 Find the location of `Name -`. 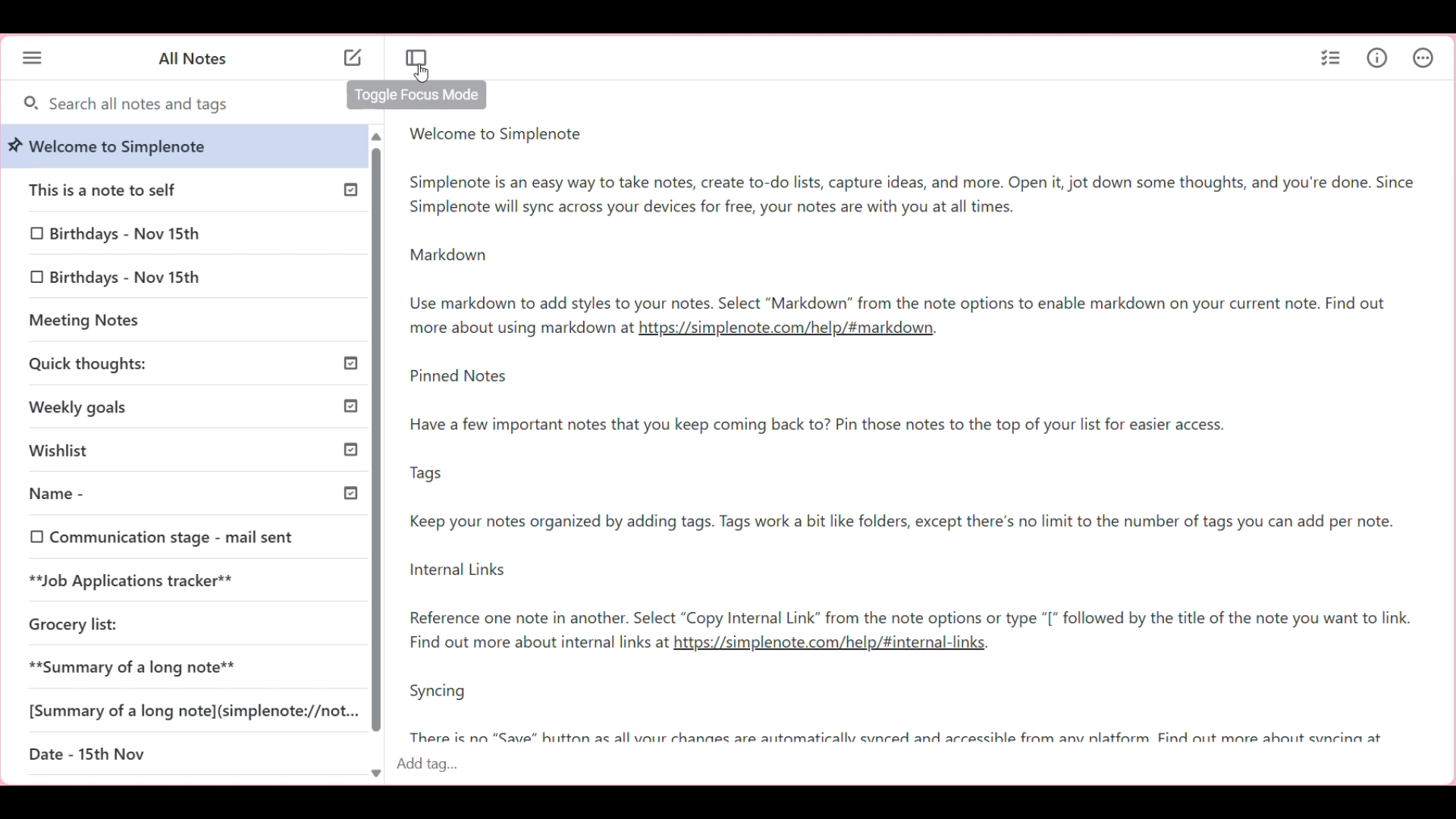

Name - is located at coordinates (140, 493).